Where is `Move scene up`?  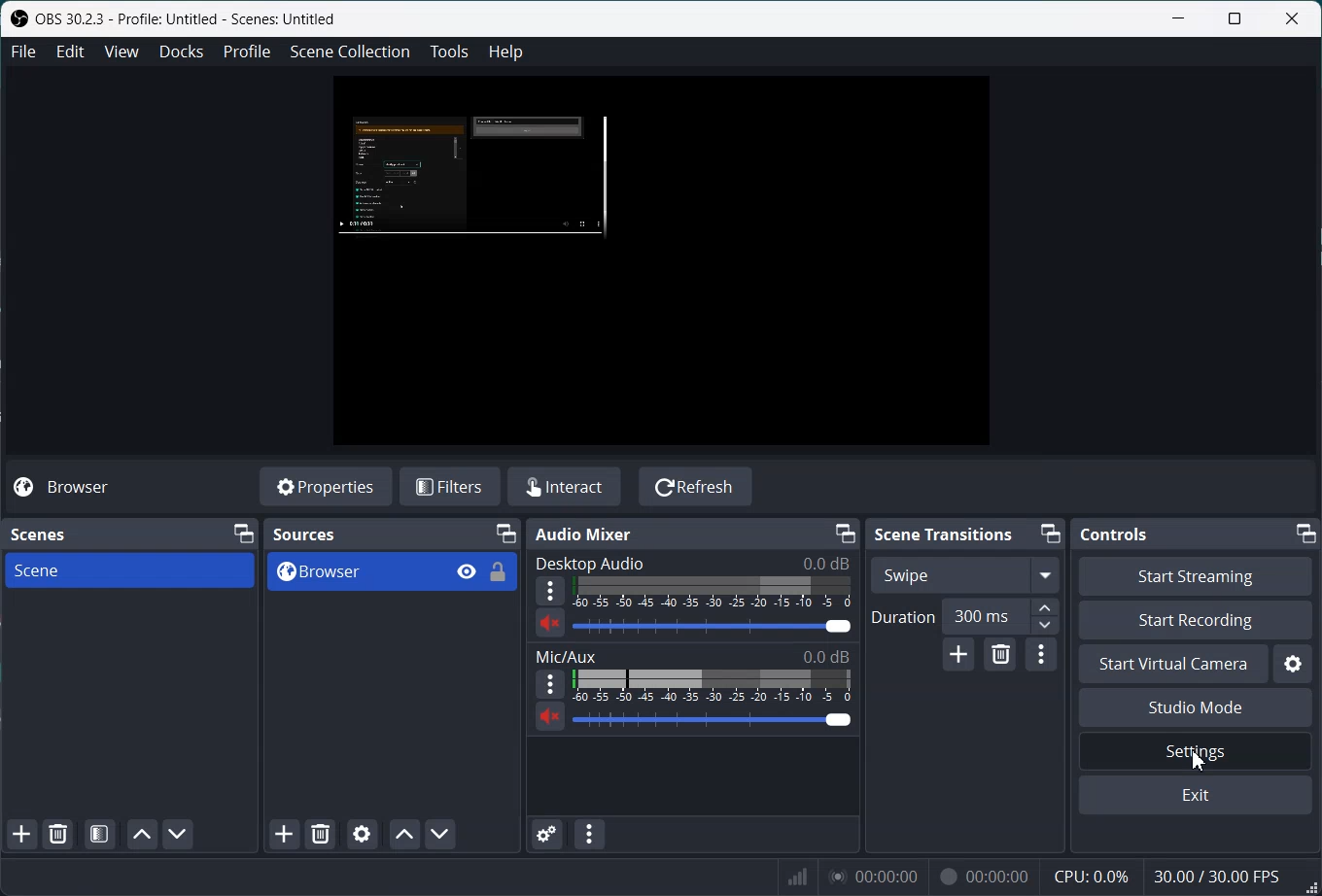 Move scene up is located at coordinates (142, 833).